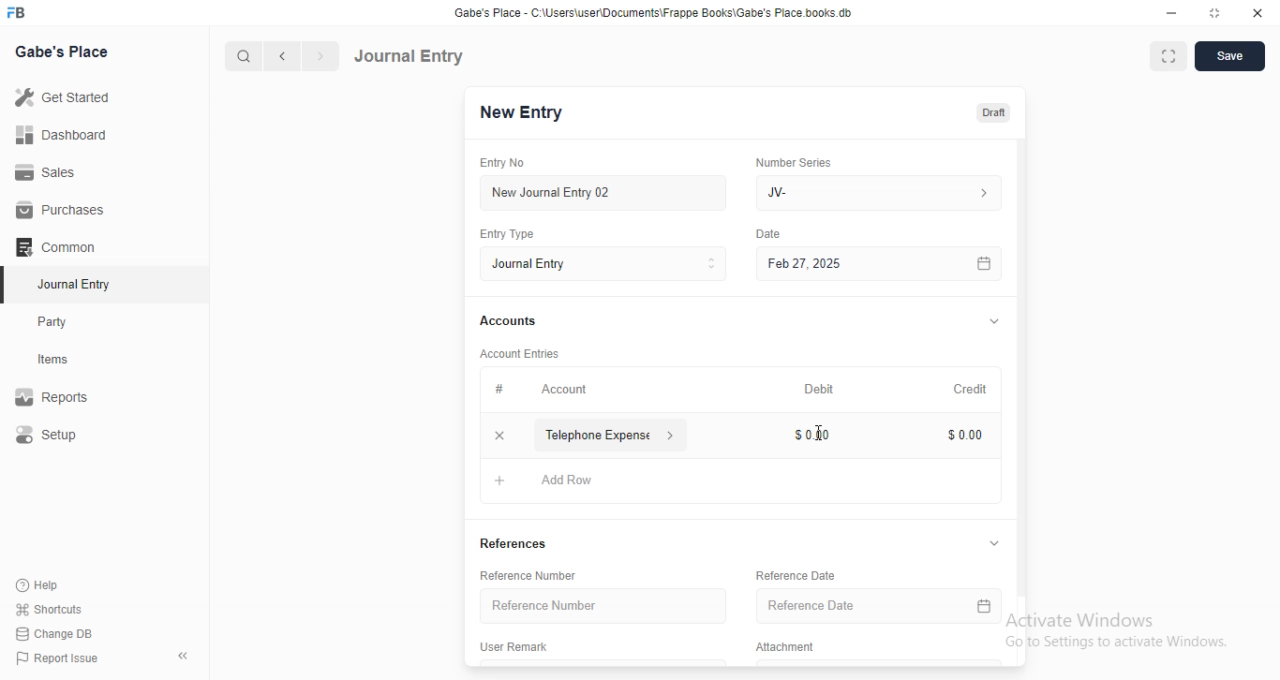  I want to click on Close, so click(1259, 13).